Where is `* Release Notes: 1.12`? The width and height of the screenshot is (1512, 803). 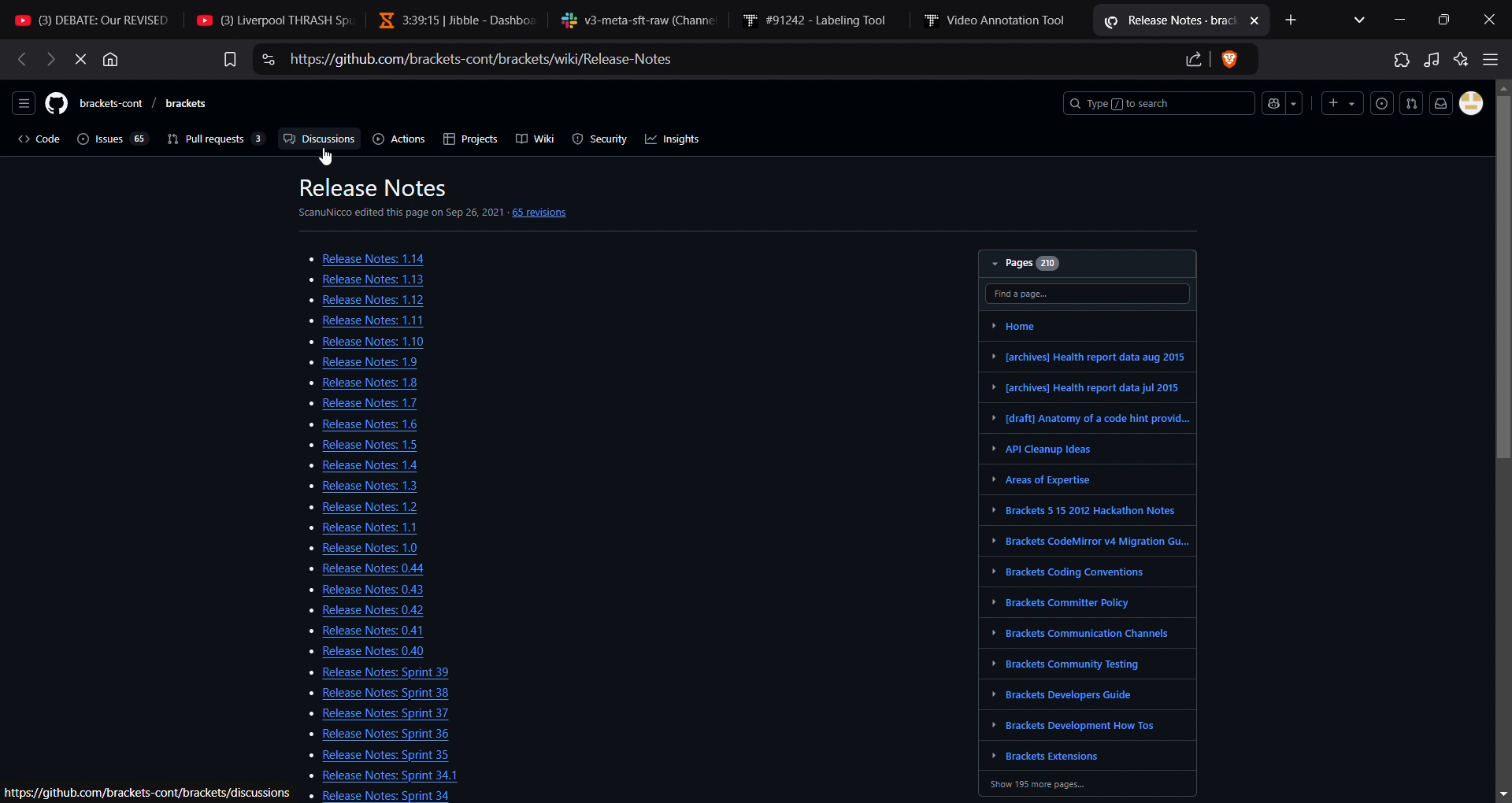
* Release Notes: 1.12 is located at coordinates (347, 301).